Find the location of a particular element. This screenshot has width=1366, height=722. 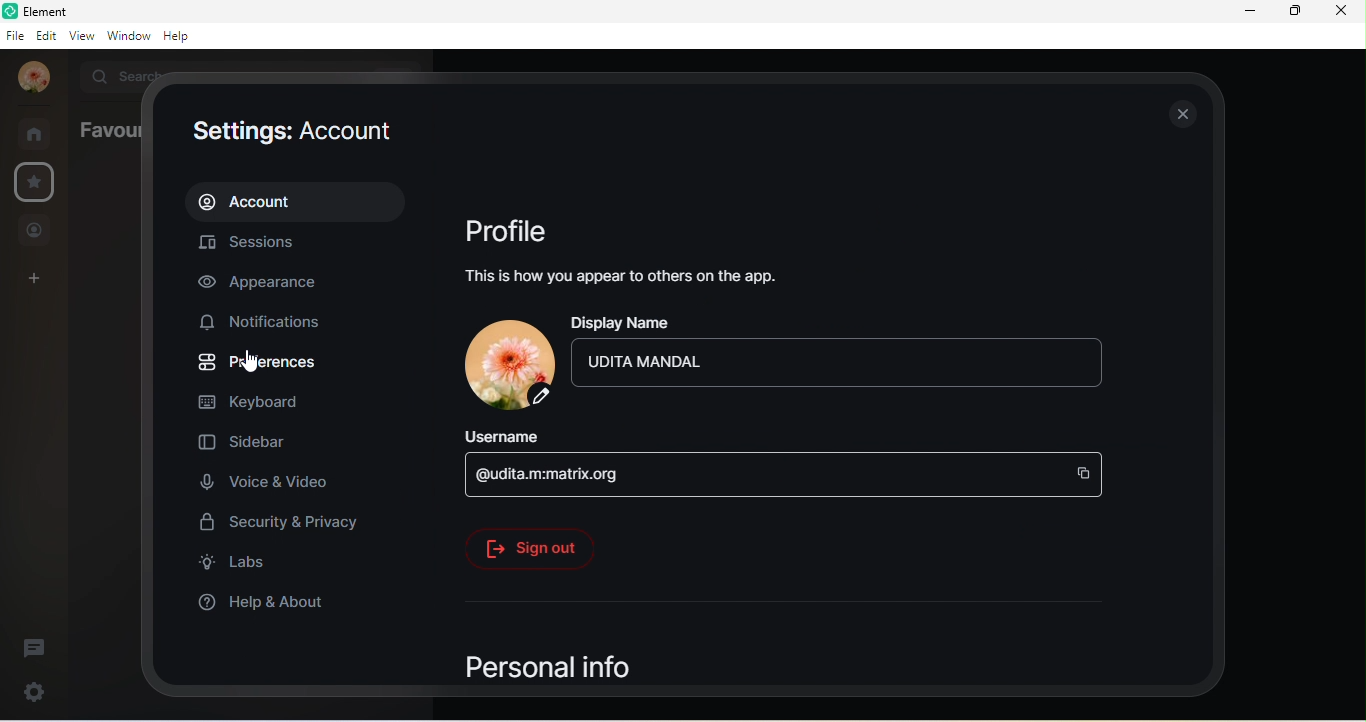

avatar image is located at coordinates (506, 364).